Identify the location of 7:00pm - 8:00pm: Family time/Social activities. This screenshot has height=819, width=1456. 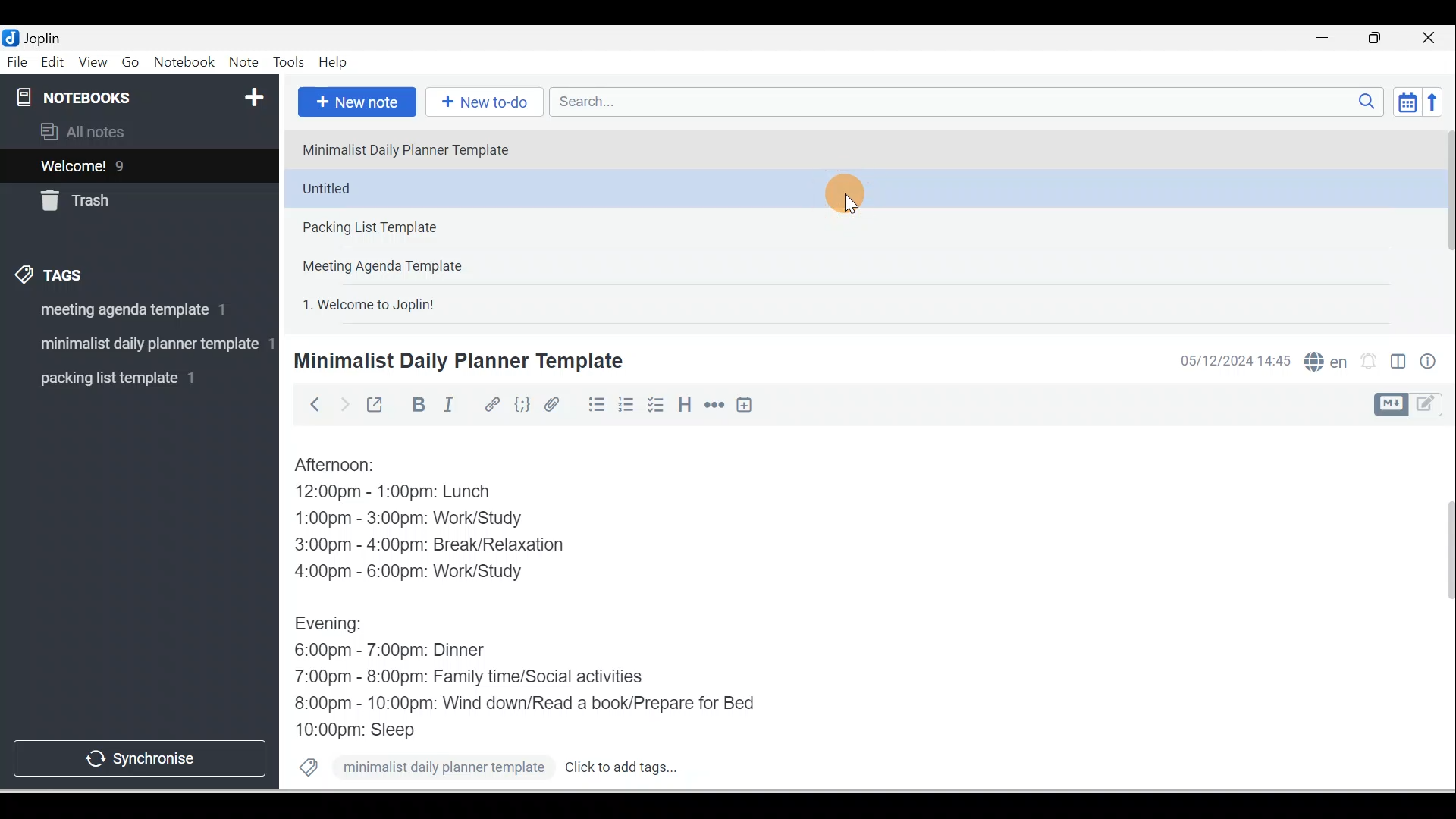
(480, 679).